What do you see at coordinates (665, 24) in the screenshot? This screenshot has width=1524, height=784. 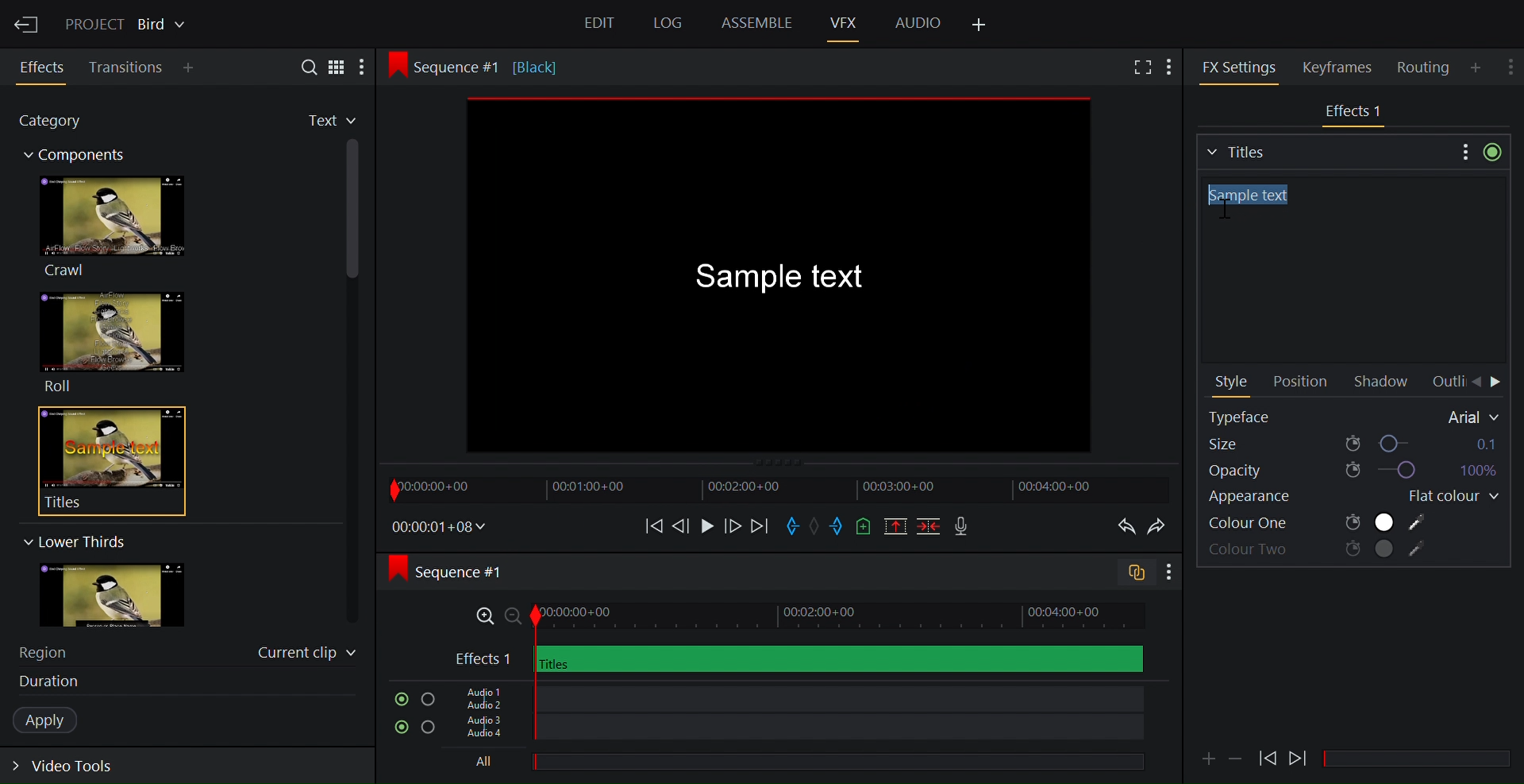 I see `Log` at bounding box center [665, 24].